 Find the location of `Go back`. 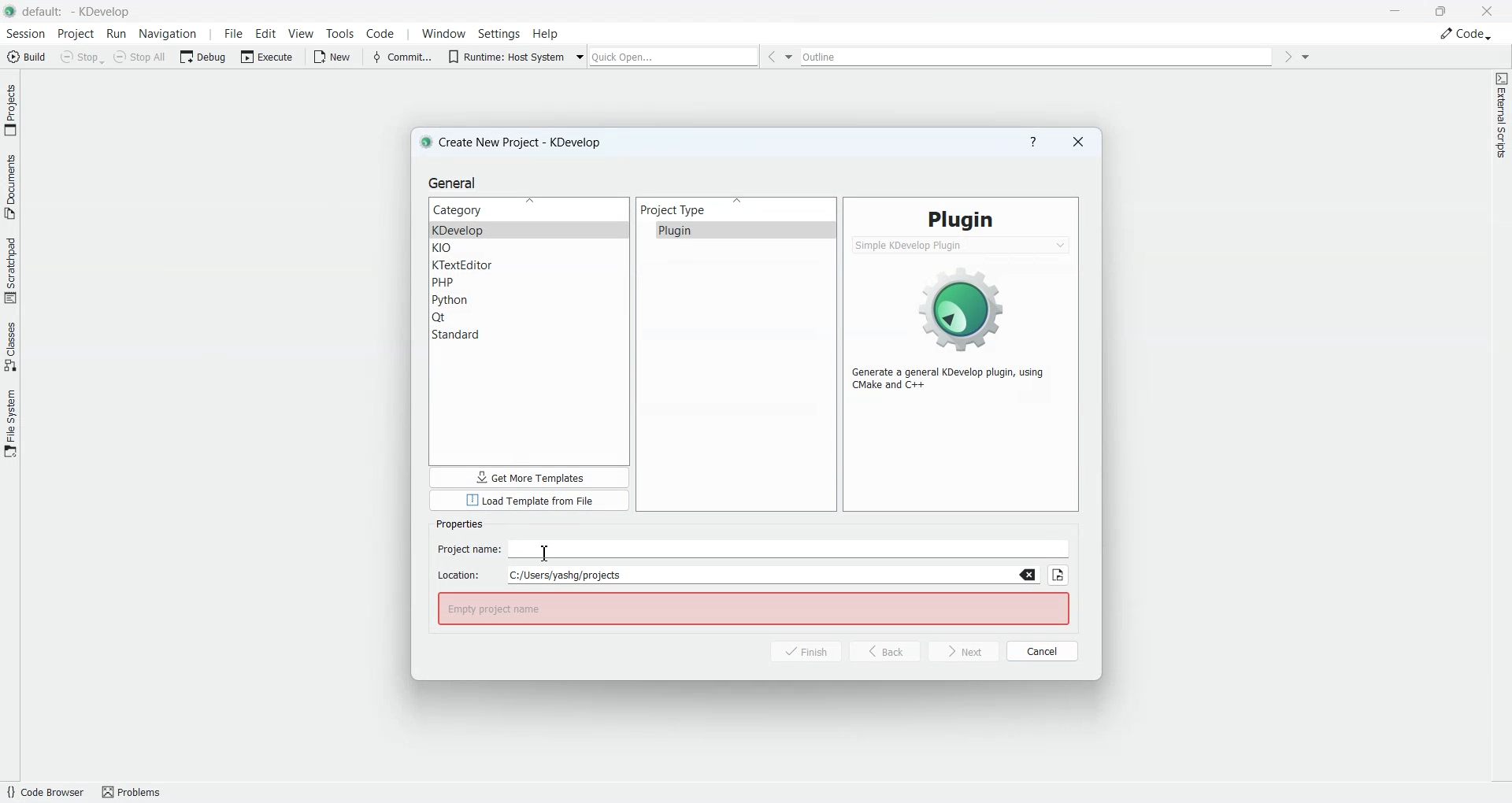

Go back is located at coordinates (770, 57).